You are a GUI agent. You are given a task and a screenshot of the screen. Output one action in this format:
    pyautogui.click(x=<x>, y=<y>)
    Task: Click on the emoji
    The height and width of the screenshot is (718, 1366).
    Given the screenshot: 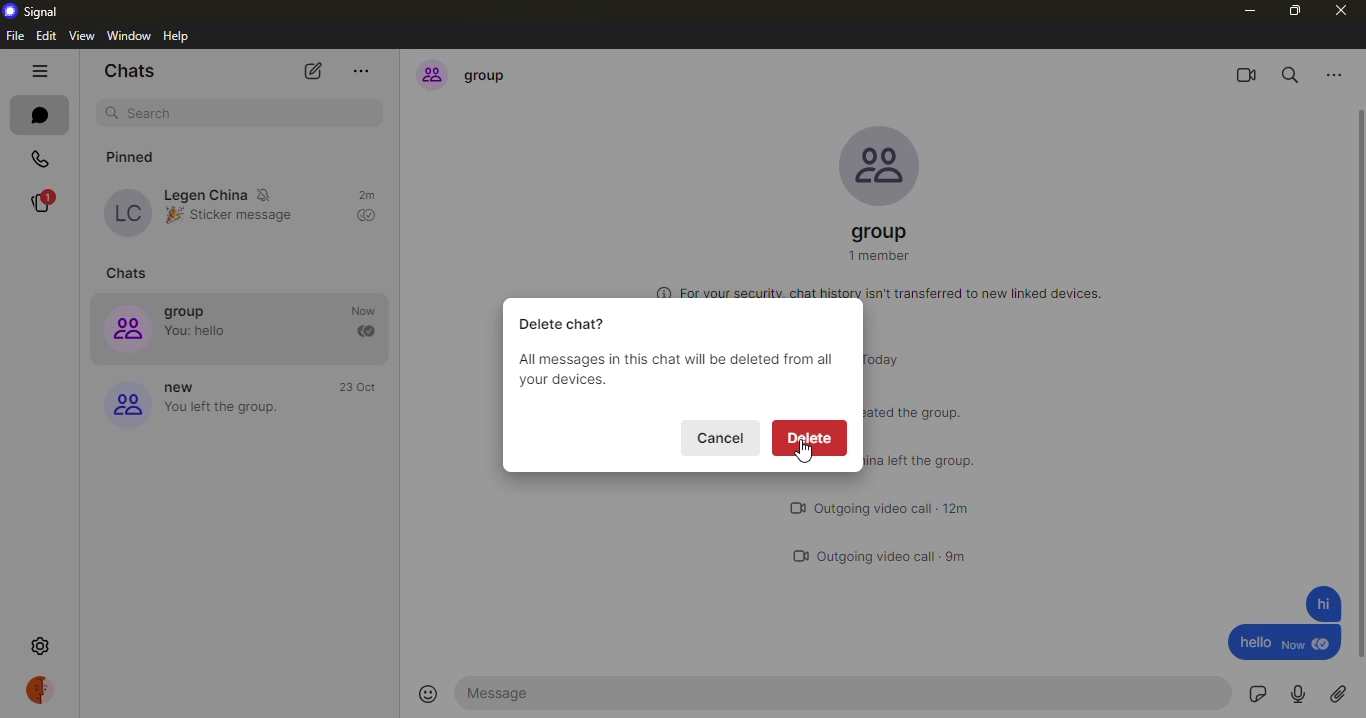 What is the action you would take?
    pyautogui.click(x=173, y=216)
    